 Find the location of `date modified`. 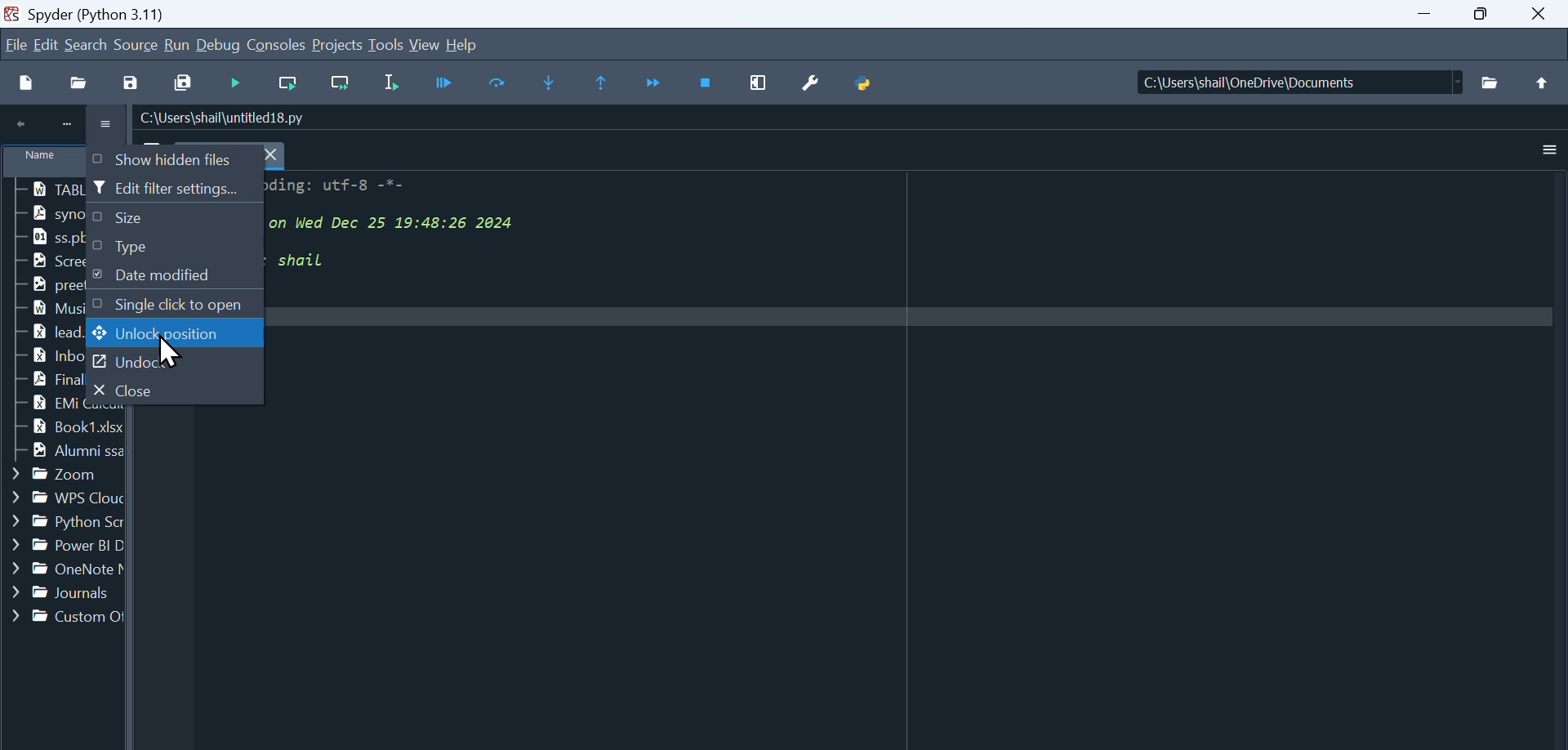

date modified is located at coordinates (172, 277).